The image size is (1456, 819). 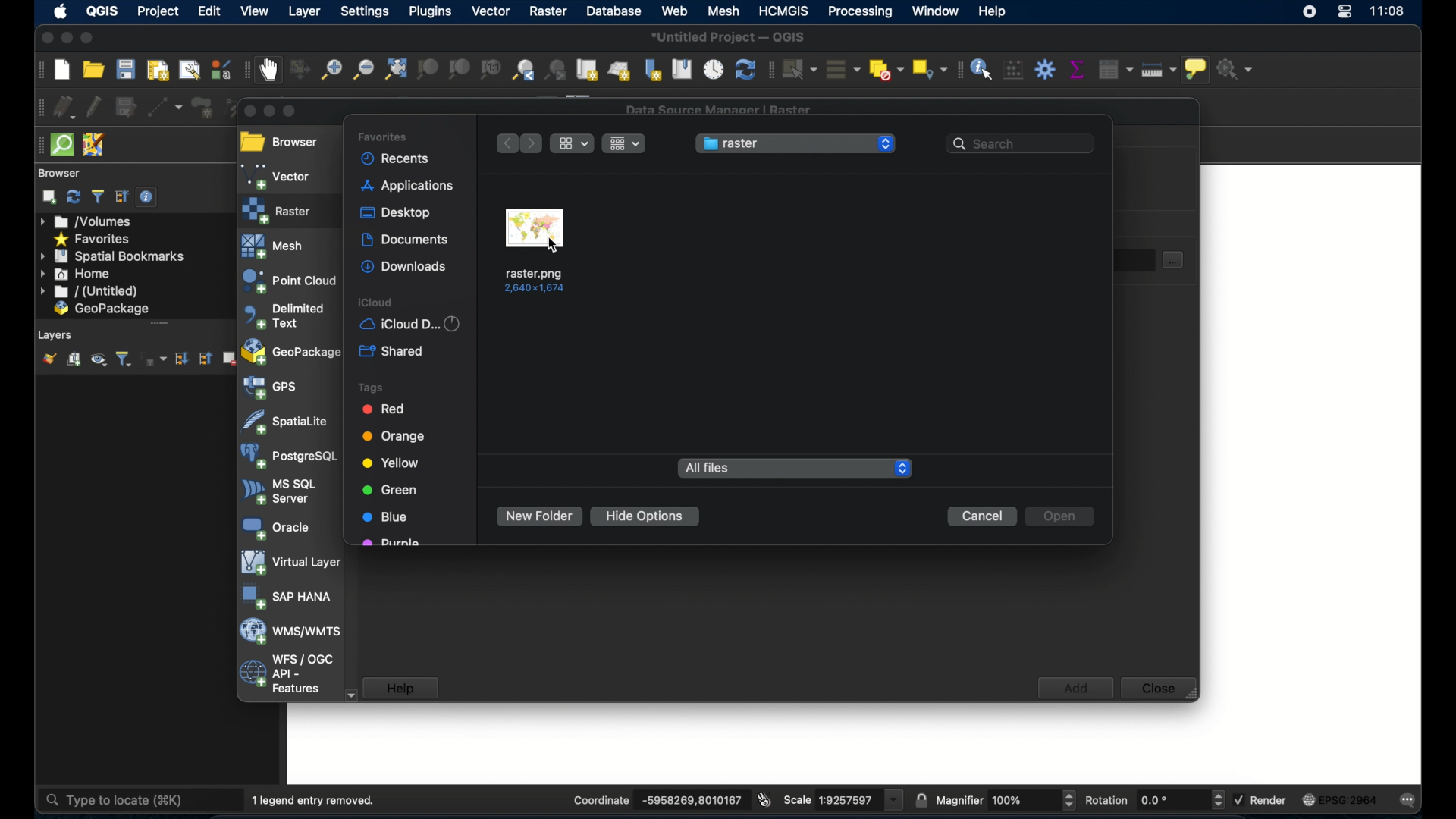 I want to click on save project, so click(x=126, y=70).